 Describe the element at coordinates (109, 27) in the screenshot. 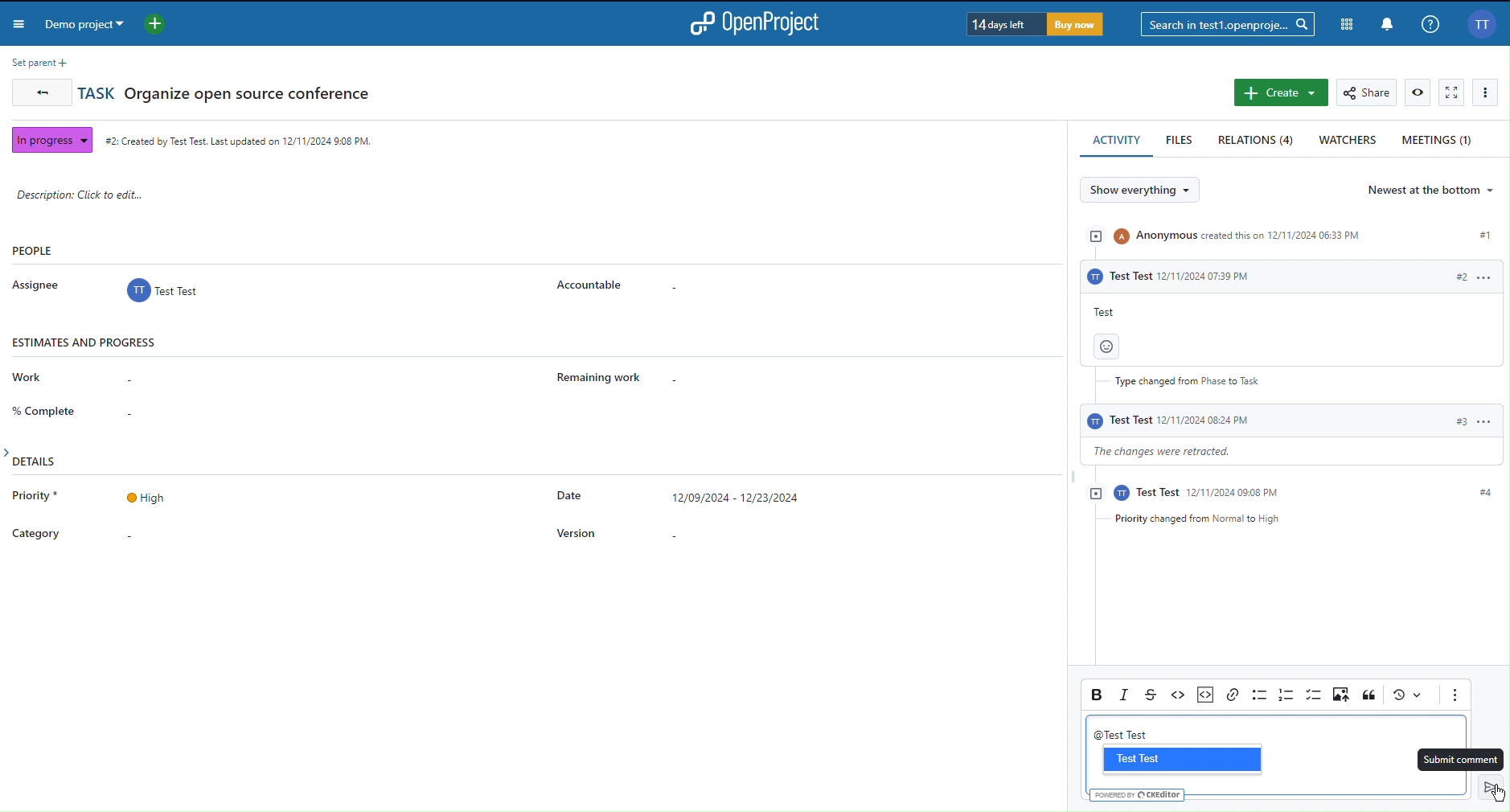

I see `Demo Projecy` at that location.